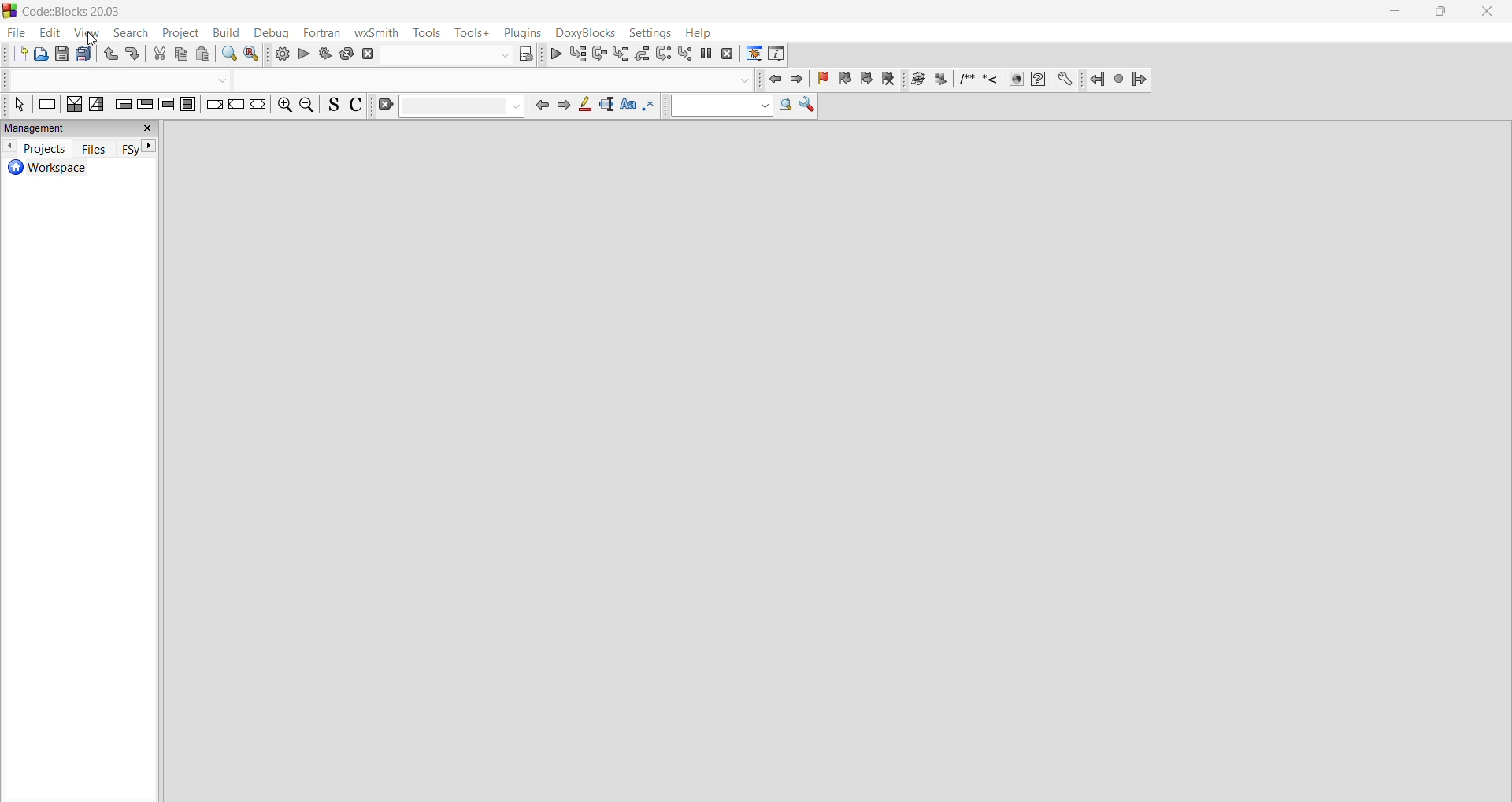 The height and width of the screenshot is (802, 1512). I want to click on selected text, so click(607, 106).